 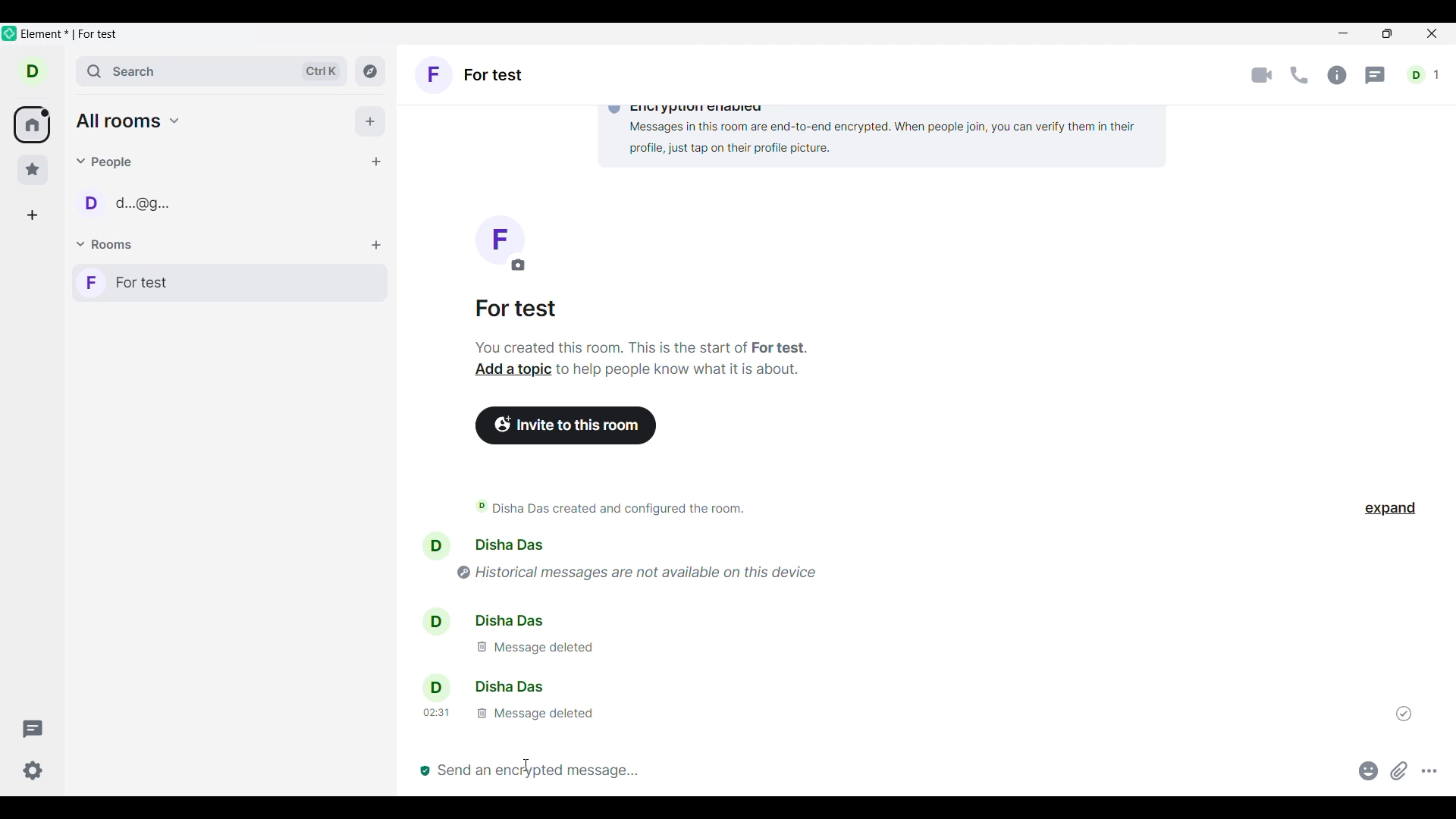 I want to click on Rooms, so click(x=107, y=245).